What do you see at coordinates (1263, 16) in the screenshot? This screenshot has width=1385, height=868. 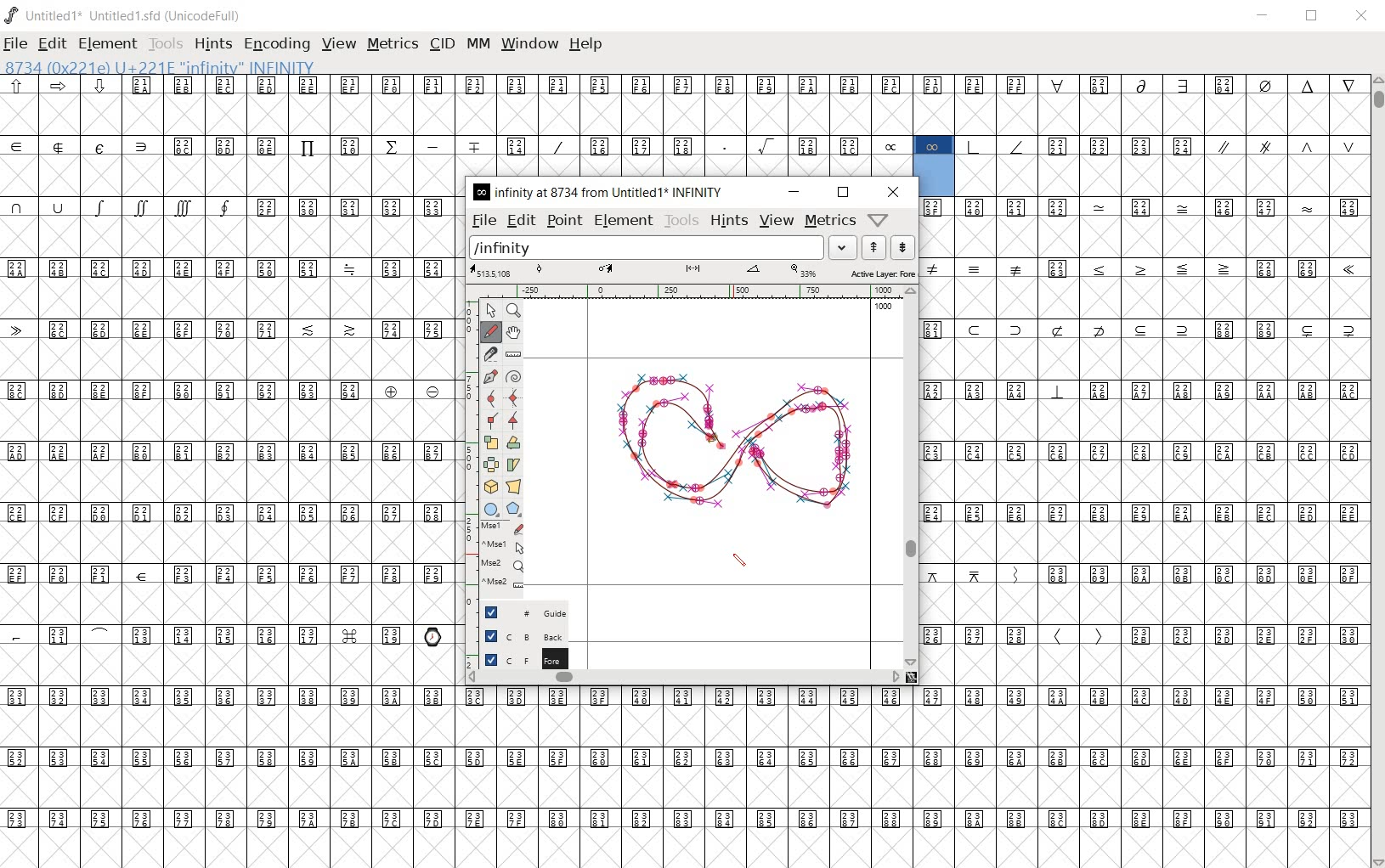 I see `minimize` at bounding box center [1263, 16].